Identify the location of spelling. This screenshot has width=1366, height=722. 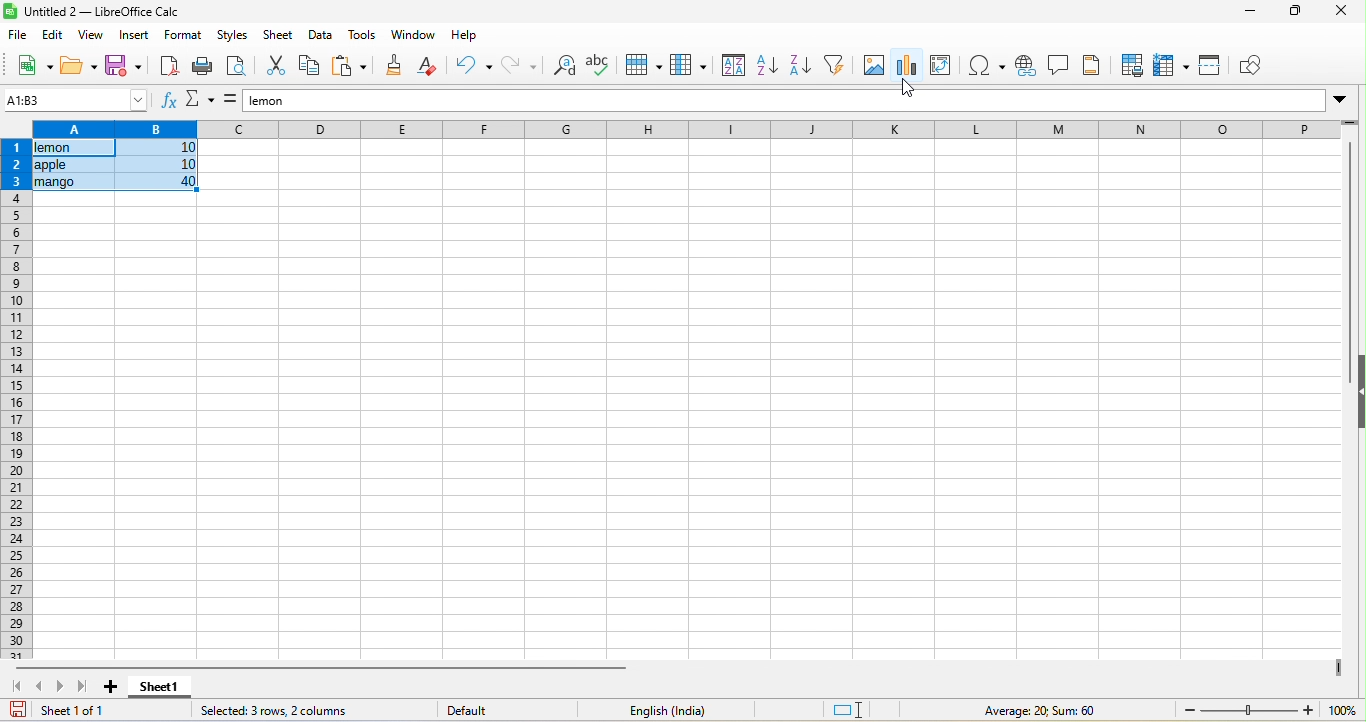
(602, 66).